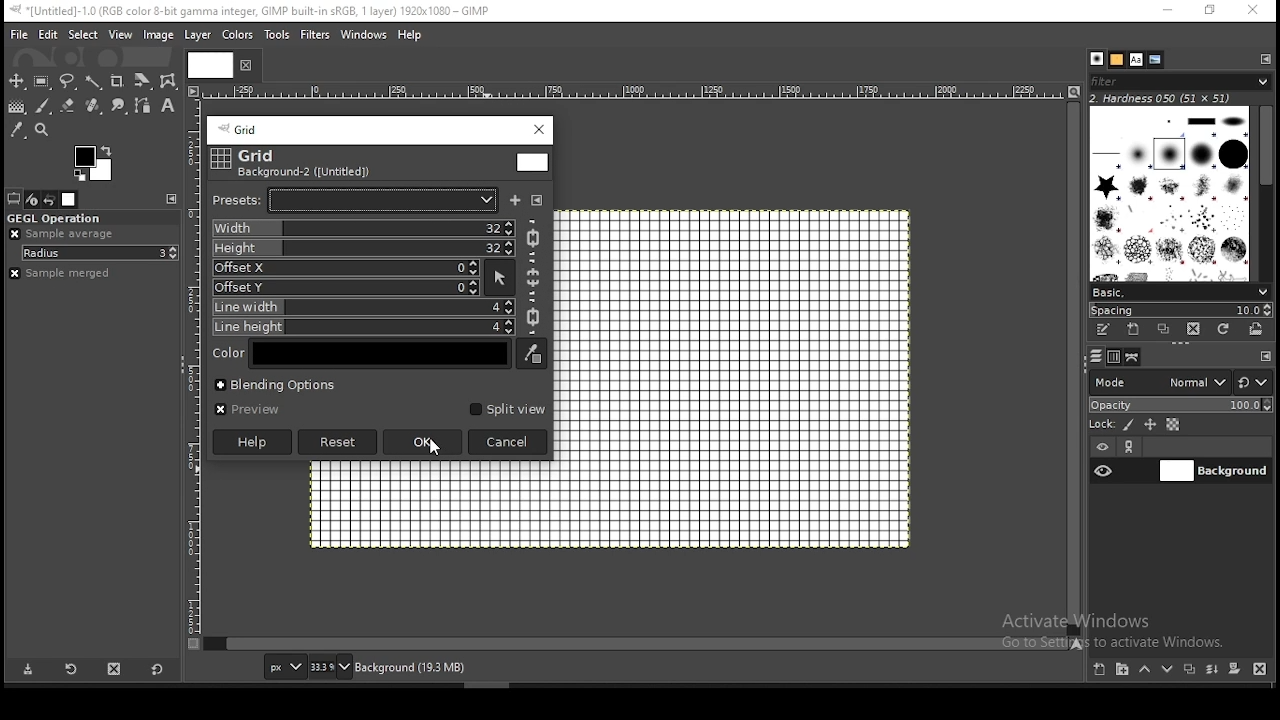 The width and height of the screenshot is (1280, 720). I want to click on background-2 ([untitled]), so click(303, 172).